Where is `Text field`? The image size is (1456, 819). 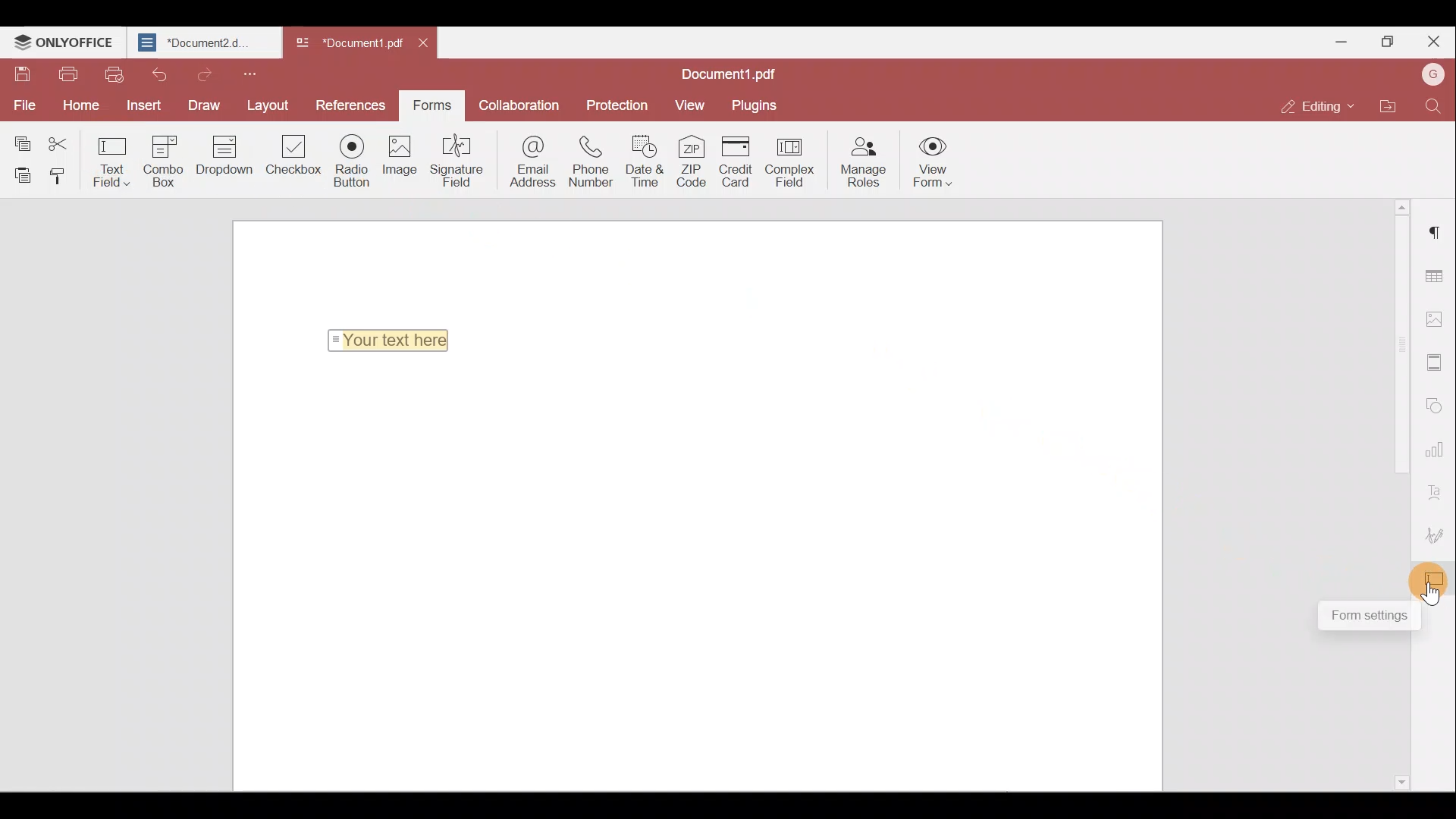
Text field is located at coordinates (112, 161).